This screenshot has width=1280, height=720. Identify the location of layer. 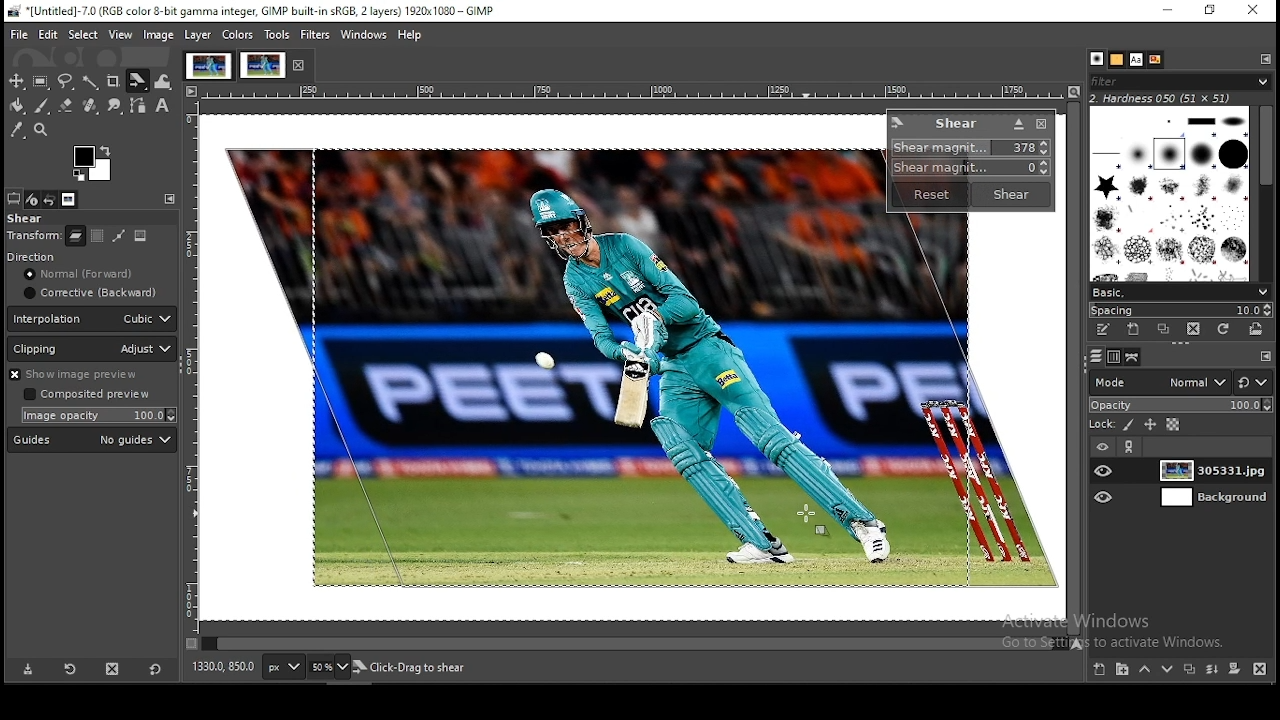
(76, 236).